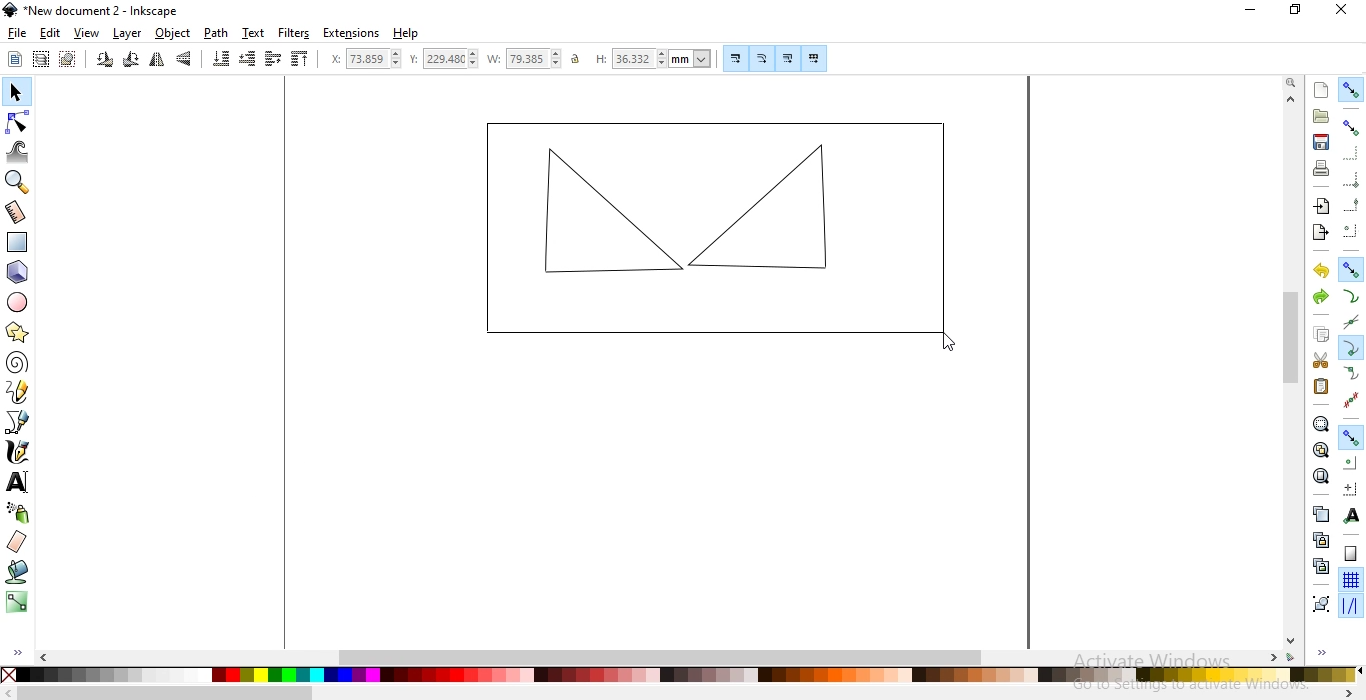  What do you see at coordinates (21, 241) in the screenshot?
I see `create rectangle and squares` at bounding box center [21, 241].